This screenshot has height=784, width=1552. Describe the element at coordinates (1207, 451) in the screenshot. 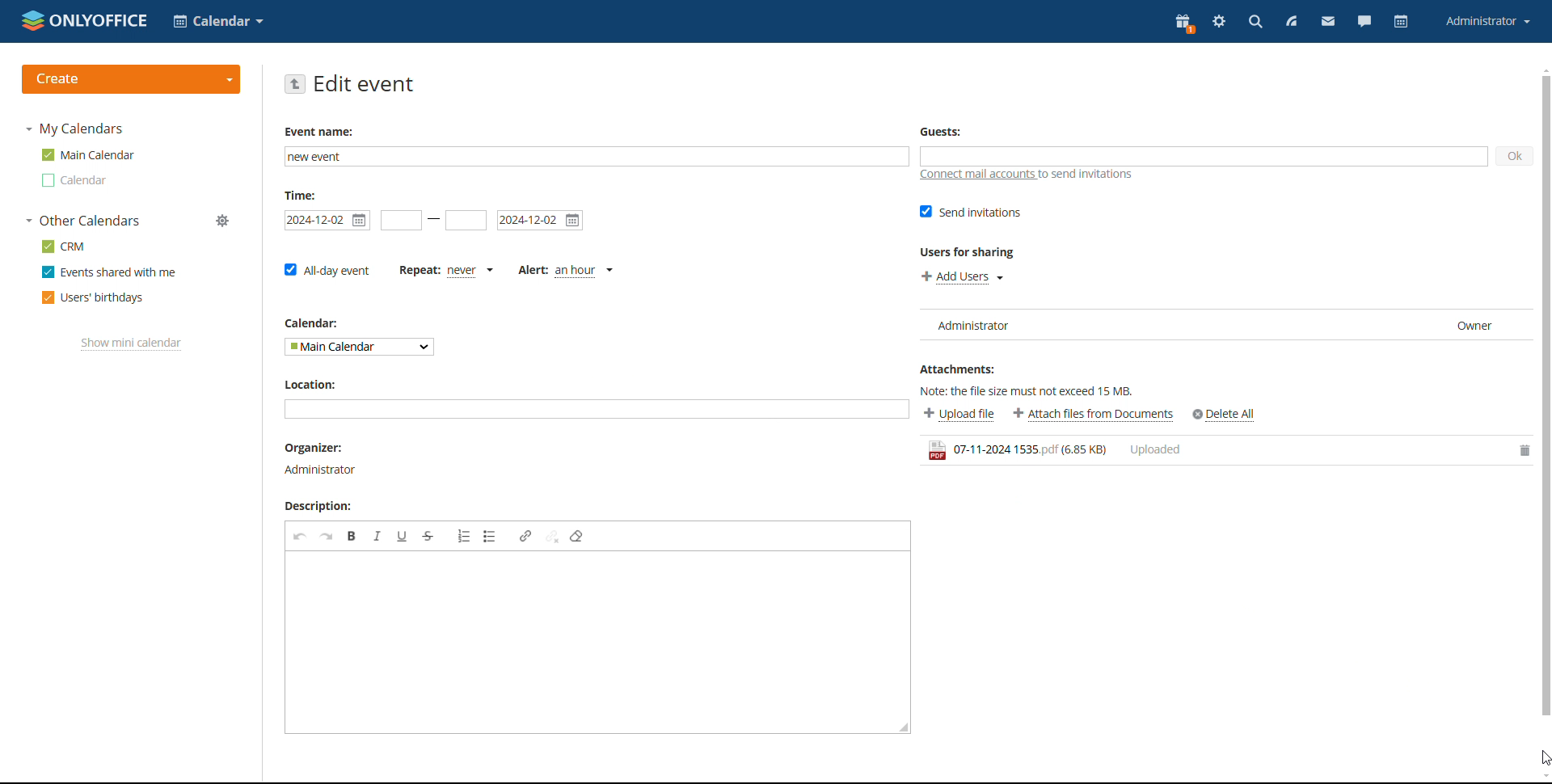

I see `file uploaded` at that location.